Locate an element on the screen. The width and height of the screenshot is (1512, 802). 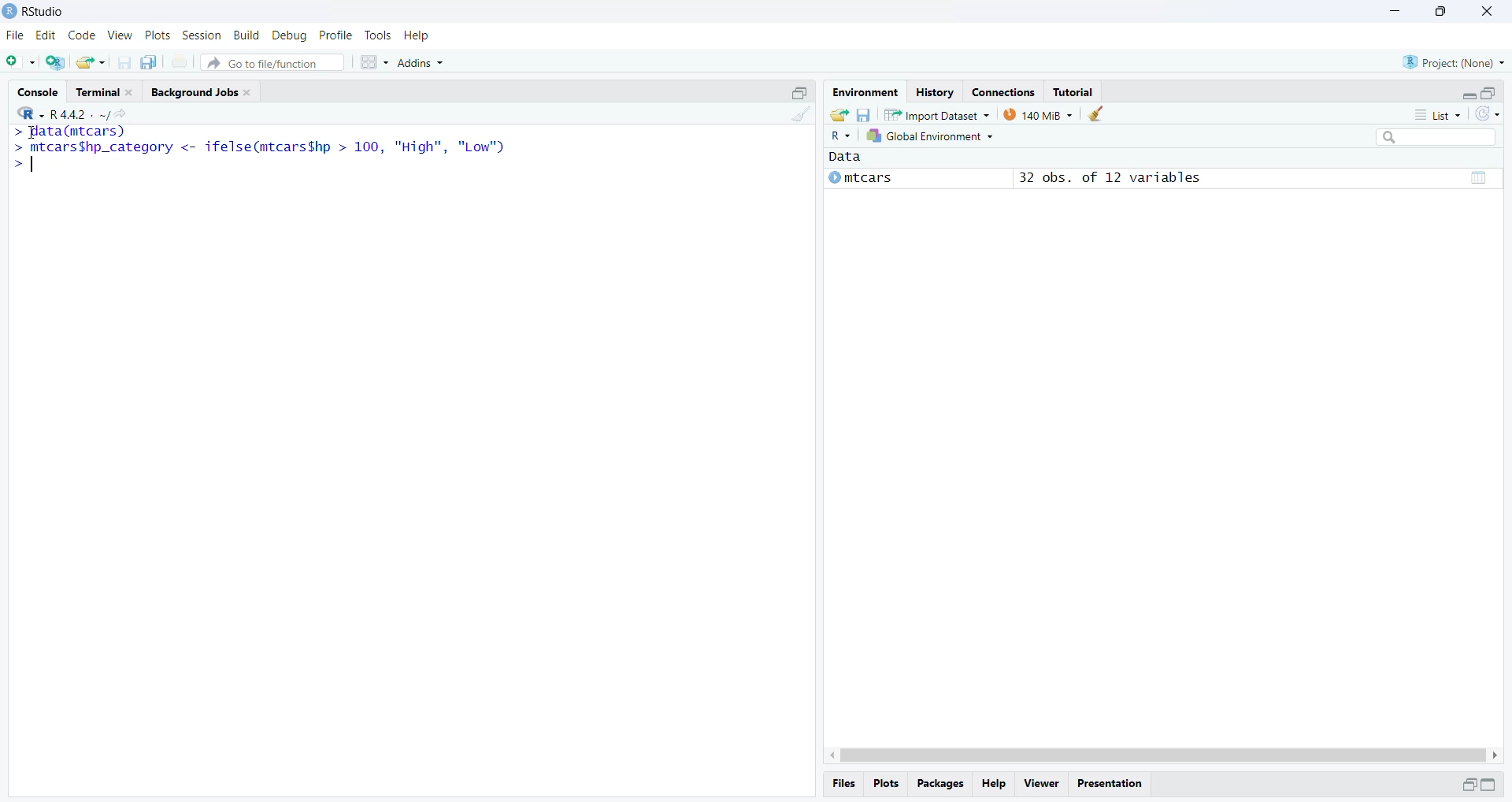
Clear console (Ctrl +L) is located at coordinates (1096, 114).